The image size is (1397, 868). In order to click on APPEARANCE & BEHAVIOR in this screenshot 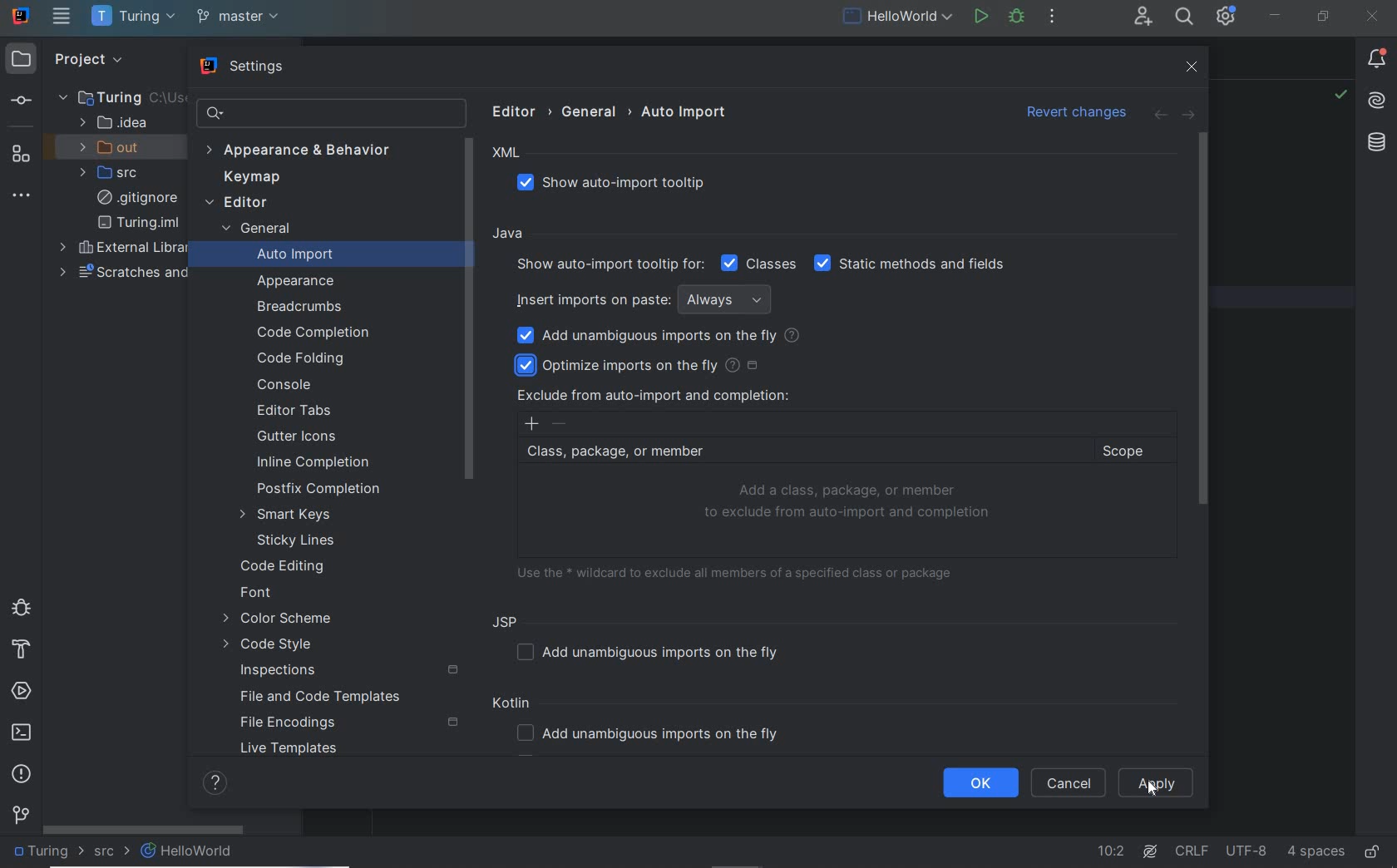, I will do `click(306, 151)`.